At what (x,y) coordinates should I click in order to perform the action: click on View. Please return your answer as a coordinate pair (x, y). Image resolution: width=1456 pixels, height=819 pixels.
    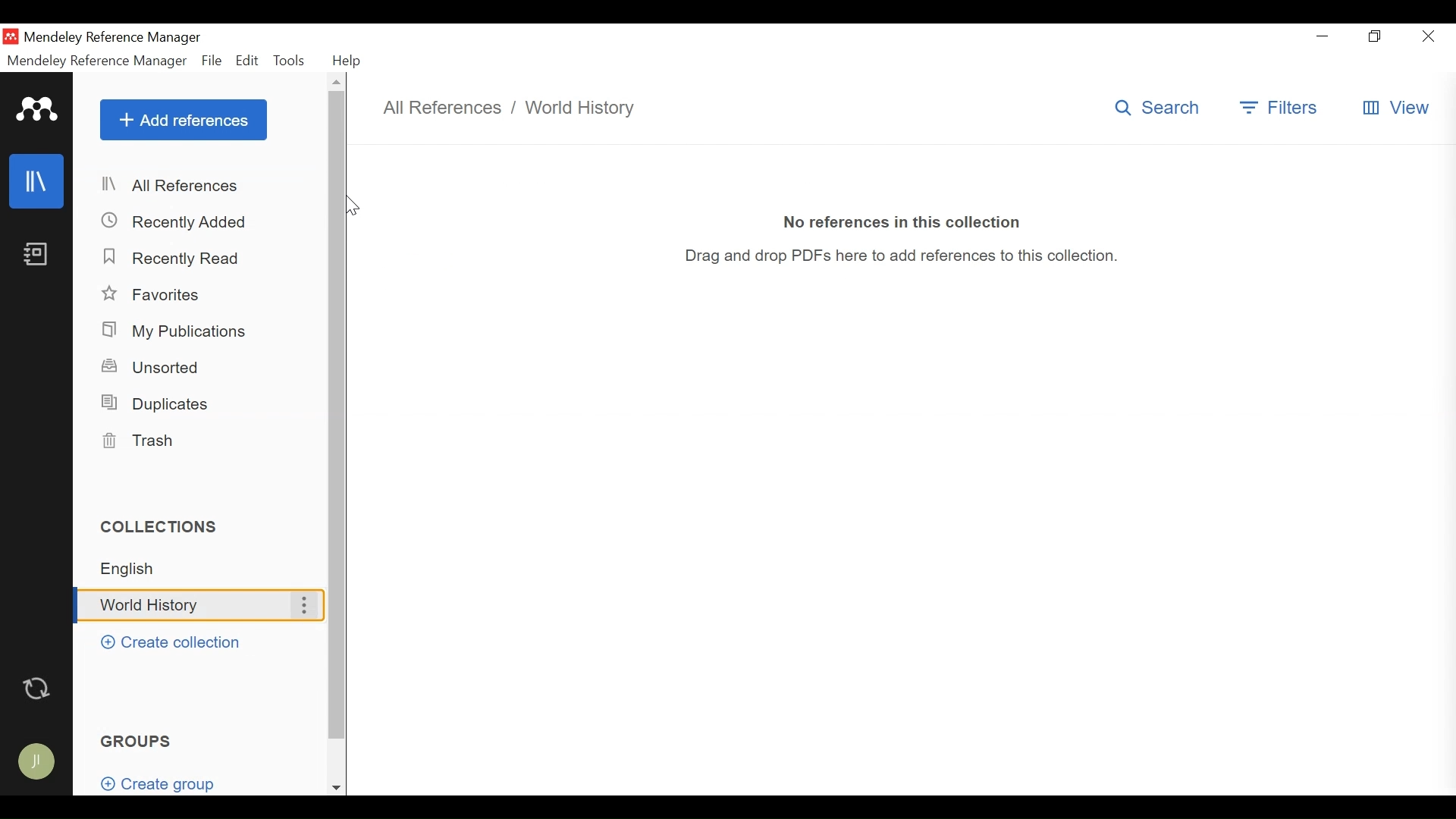
    Looking at the image, I should click on (1395, 108).